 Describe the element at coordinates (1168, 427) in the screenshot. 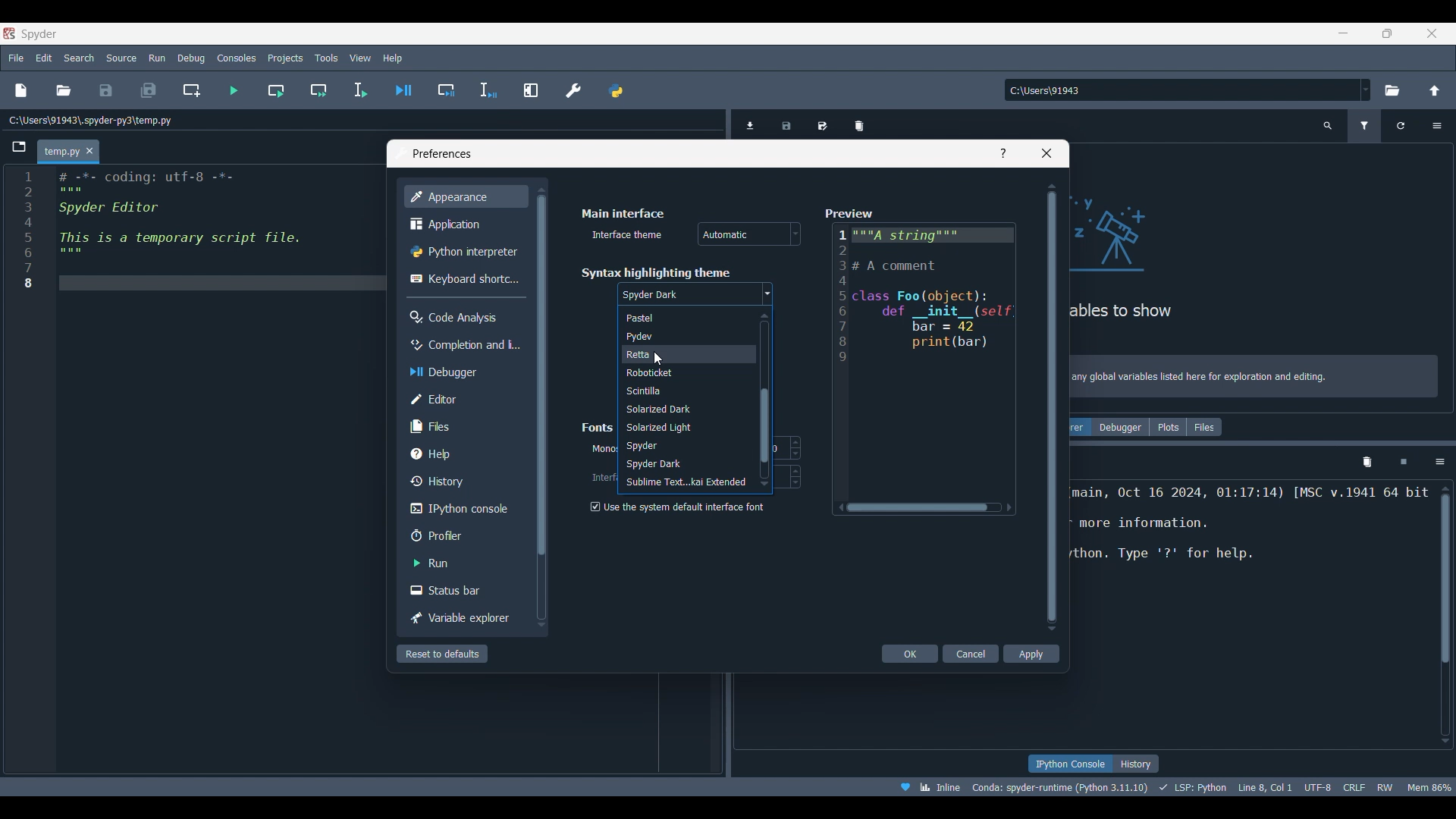

I see `Plots` at that location.